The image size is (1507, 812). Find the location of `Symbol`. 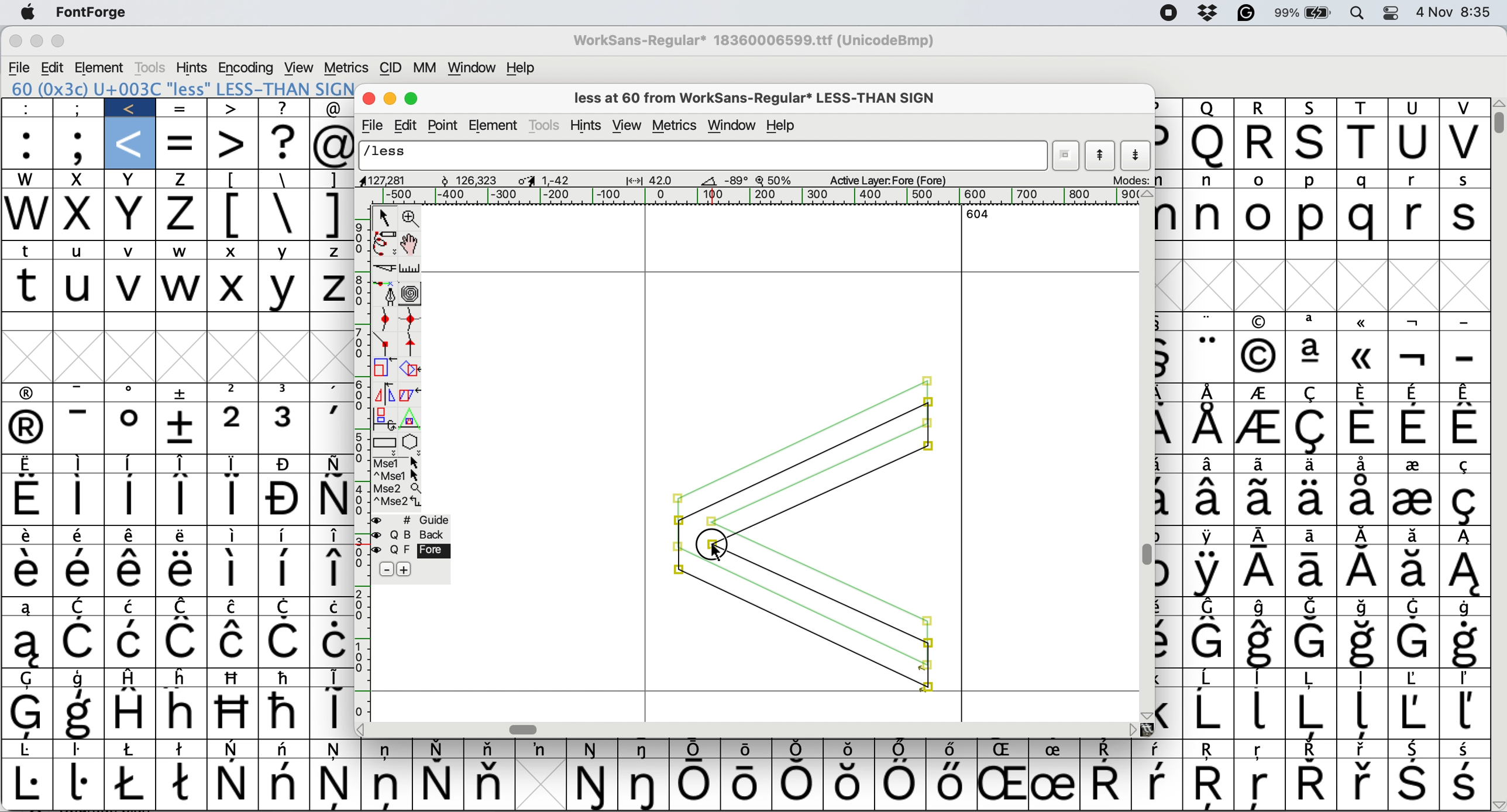

Symbol is located at coordinates (29, 784).